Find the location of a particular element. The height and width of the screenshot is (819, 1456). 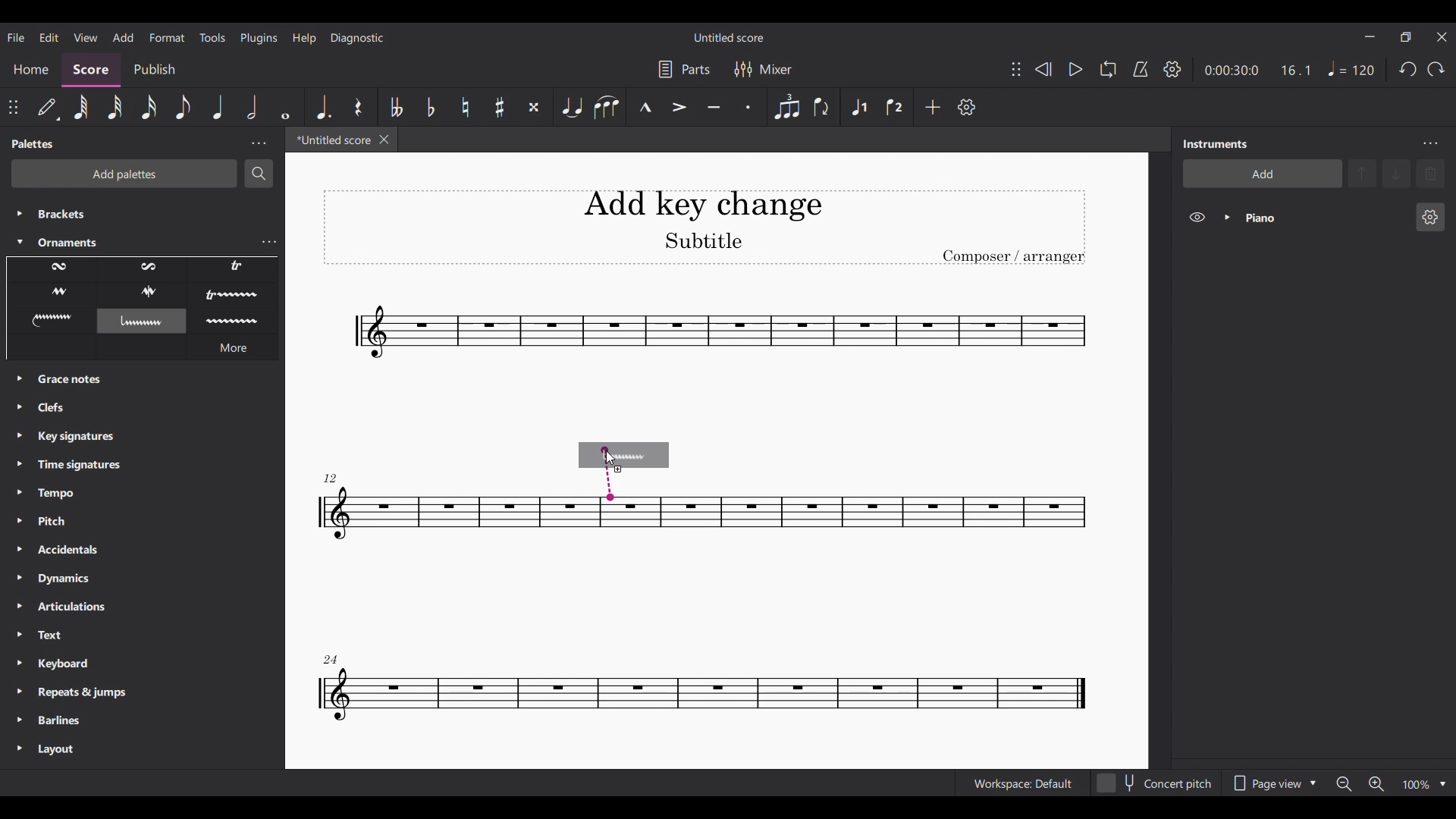

Description of current selection is located at coordinates (143, 356).